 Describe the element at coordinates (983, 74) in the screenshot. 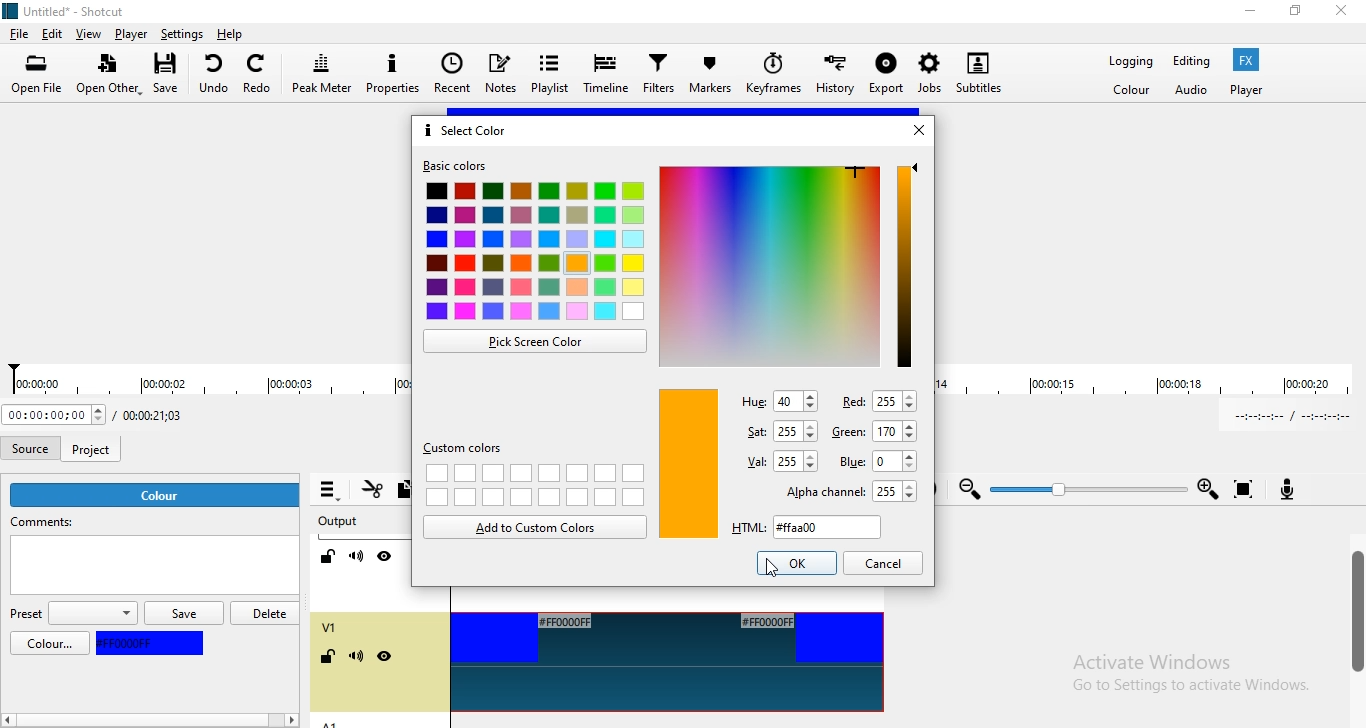

I see `Subtitles` at that location.